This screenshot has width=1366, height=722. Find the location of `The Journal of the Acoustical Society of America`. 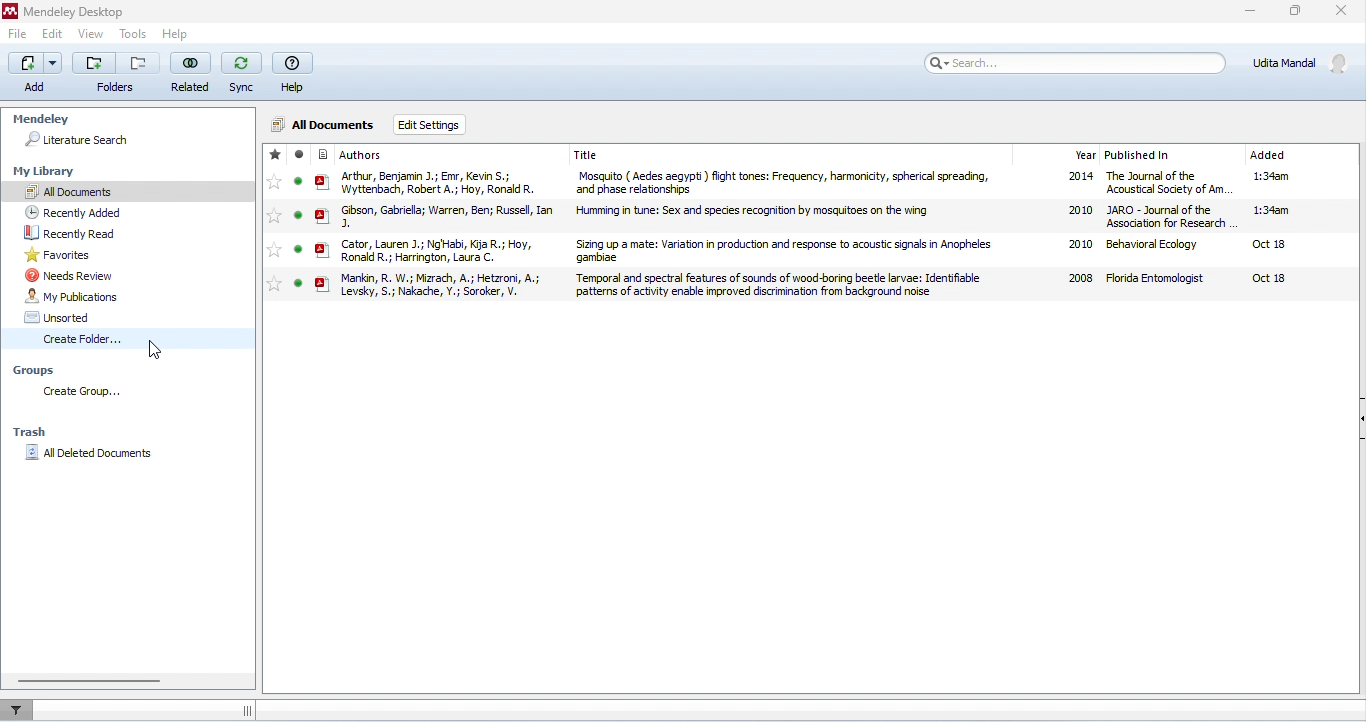

The Journal of the Acoustical Society of America is located at coordinates (1168, 181).